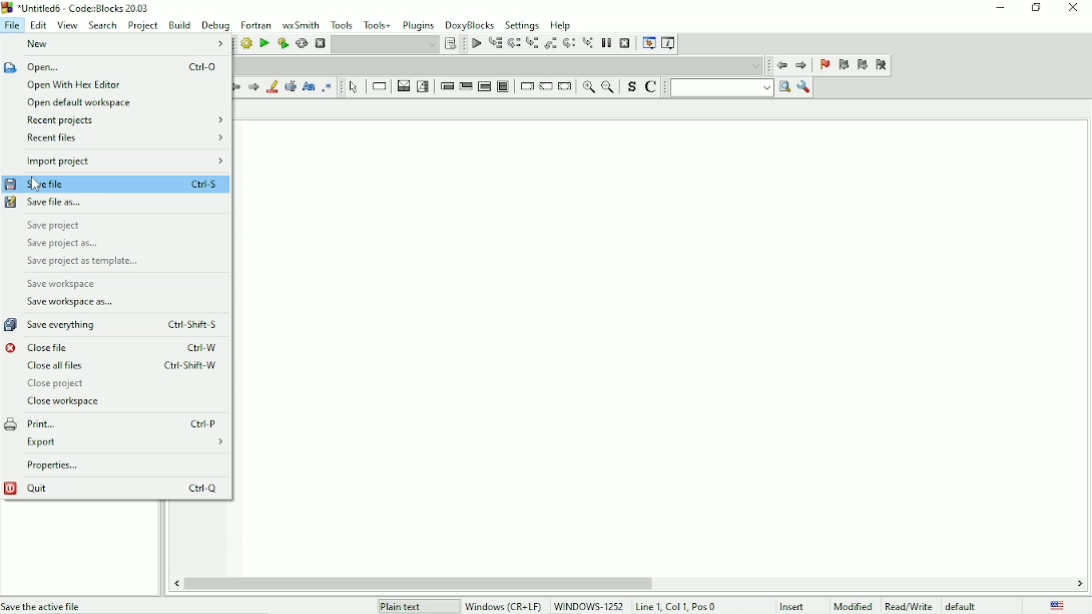  Describe the element at coordinates (624, 43) in the screenshot. I see `Stop debugger` at that location.